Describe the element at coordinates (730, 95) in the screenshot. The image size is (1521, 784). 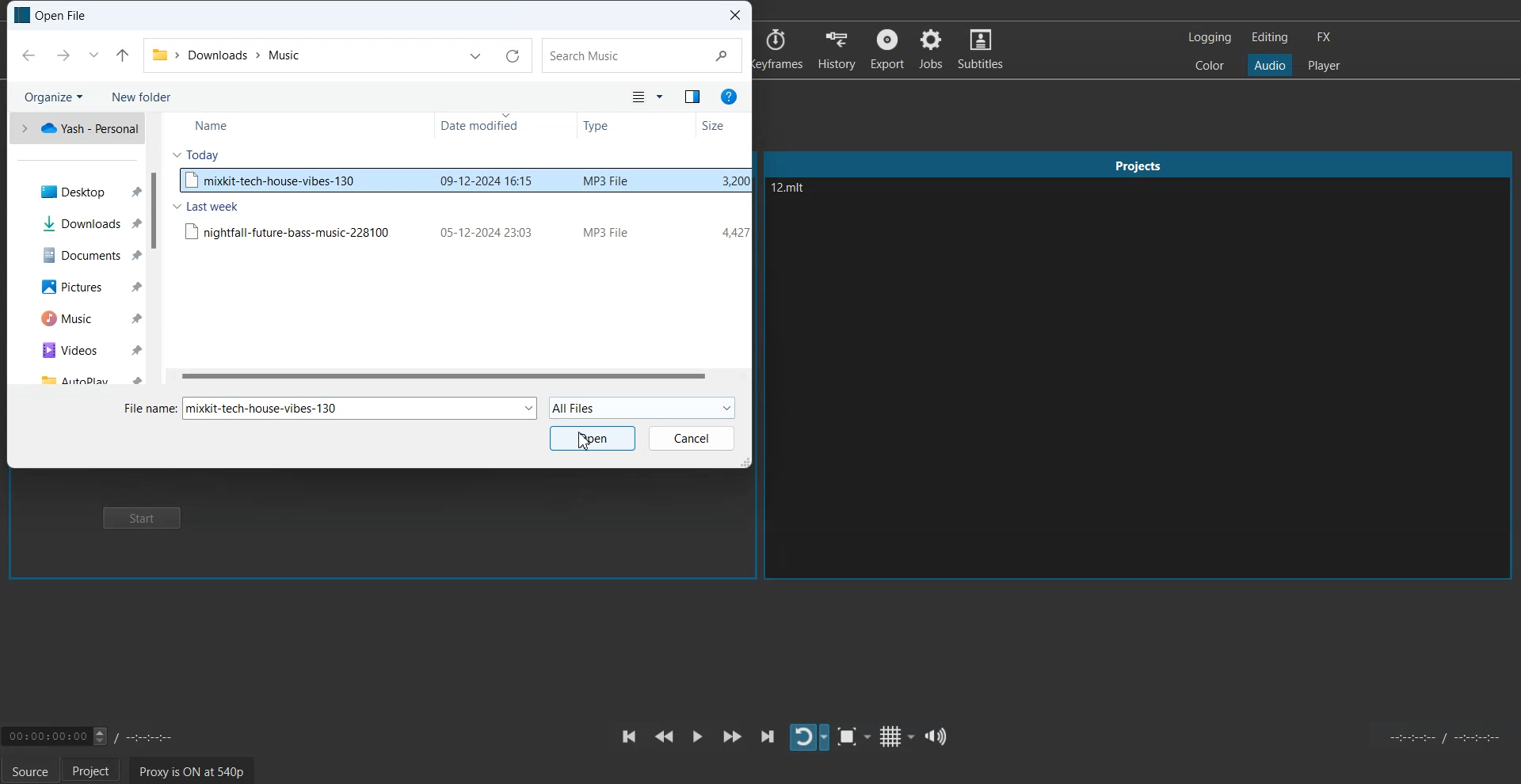
I see `Help` at that location.